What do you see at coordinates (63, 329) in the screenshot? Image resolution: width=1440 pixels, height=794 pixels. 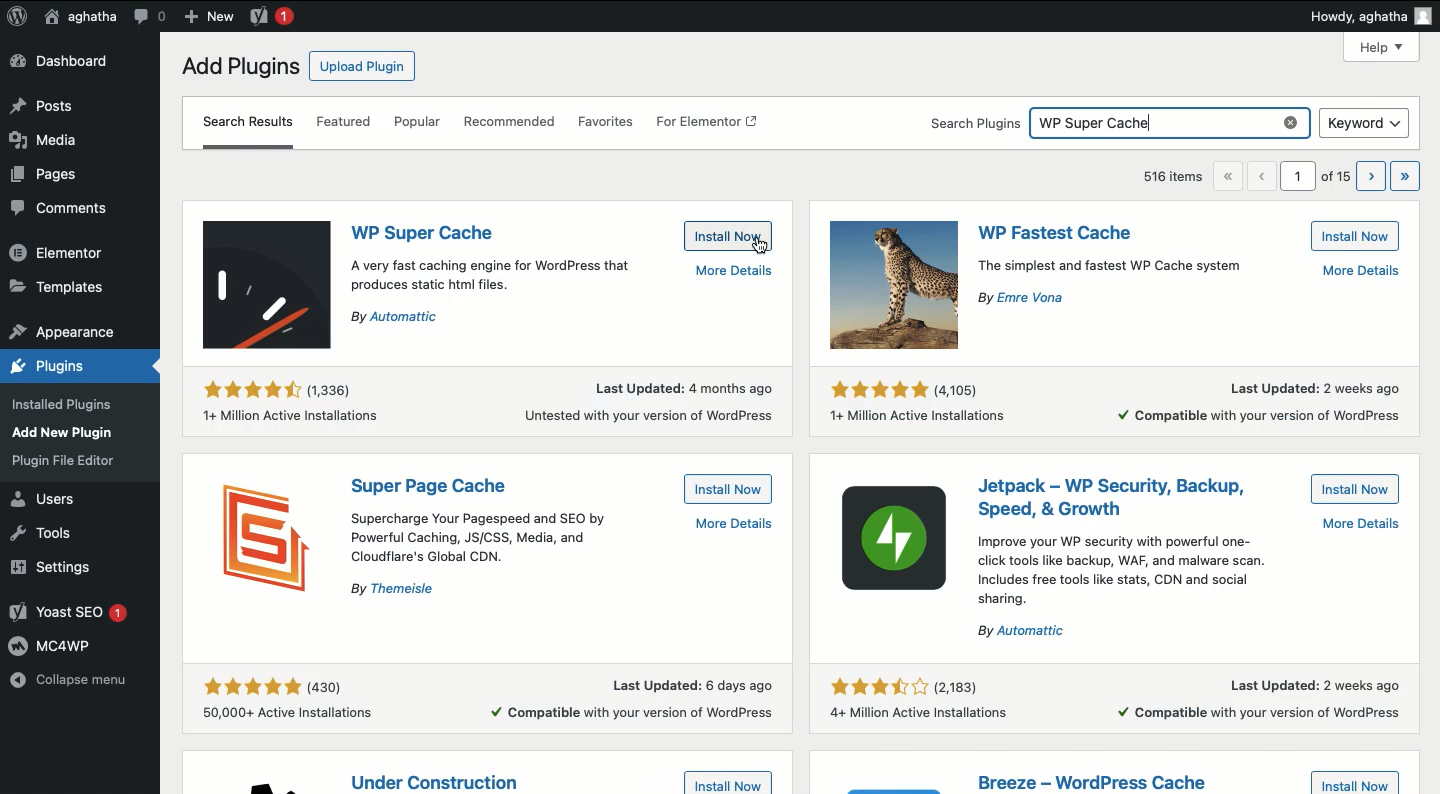 I see `appearance` at bounding box center [63, 329].